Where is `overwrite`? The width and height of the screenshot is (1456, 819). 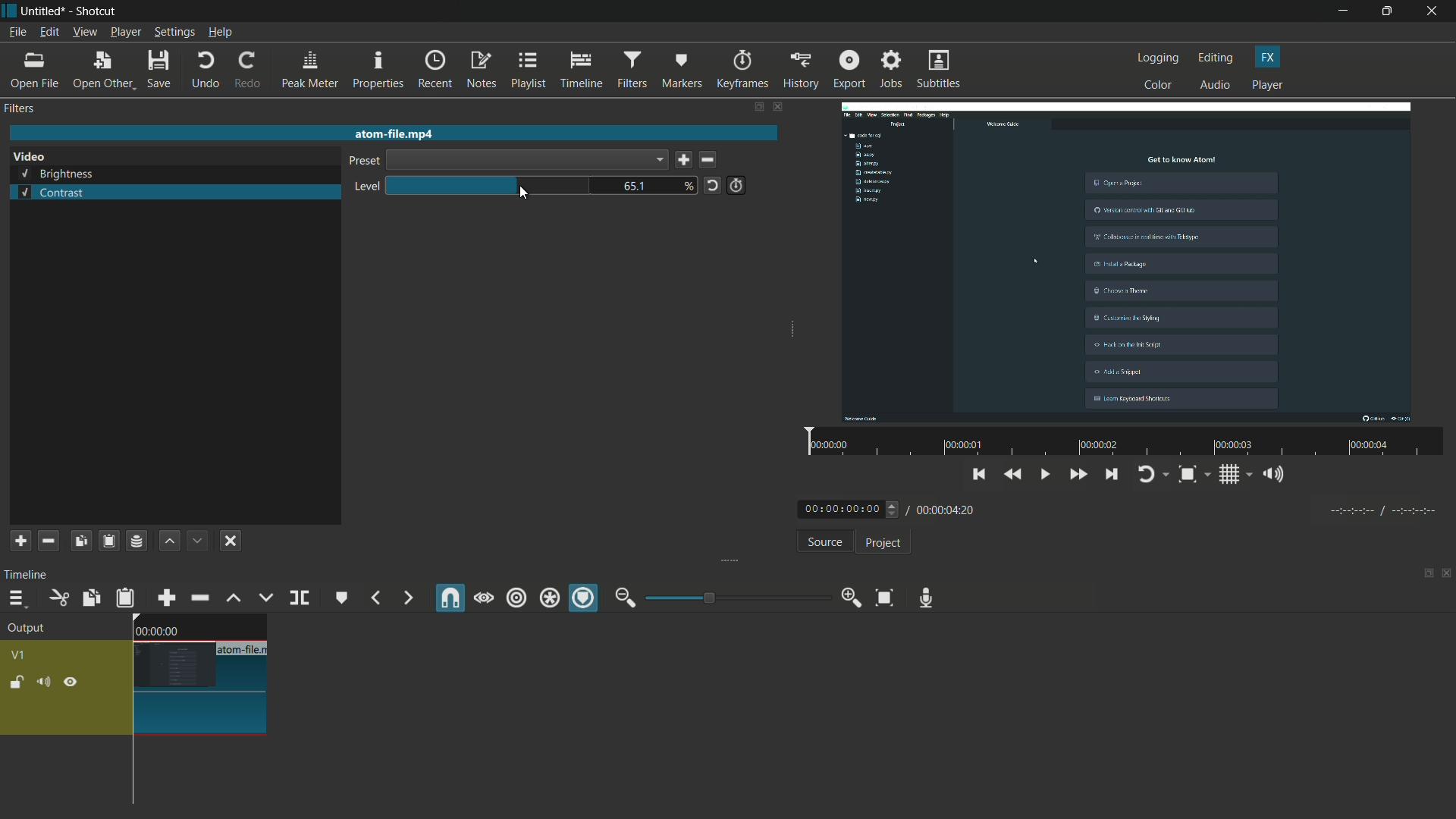
overwrite is located at coordinates (263, 598).